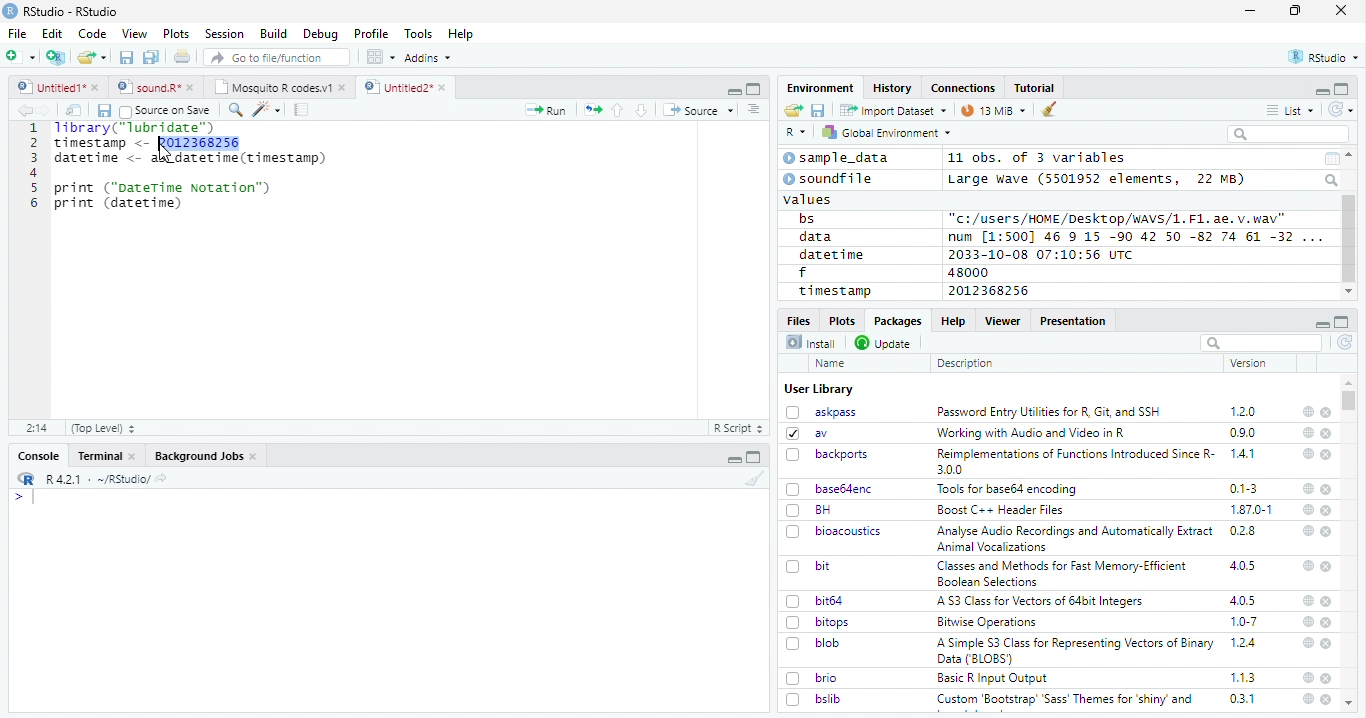 The image size is (1366, 718). What do you see at coordinates (1036, 88) in the screenshot?
I see `Tutorial` at bounding box center [1036, 88].